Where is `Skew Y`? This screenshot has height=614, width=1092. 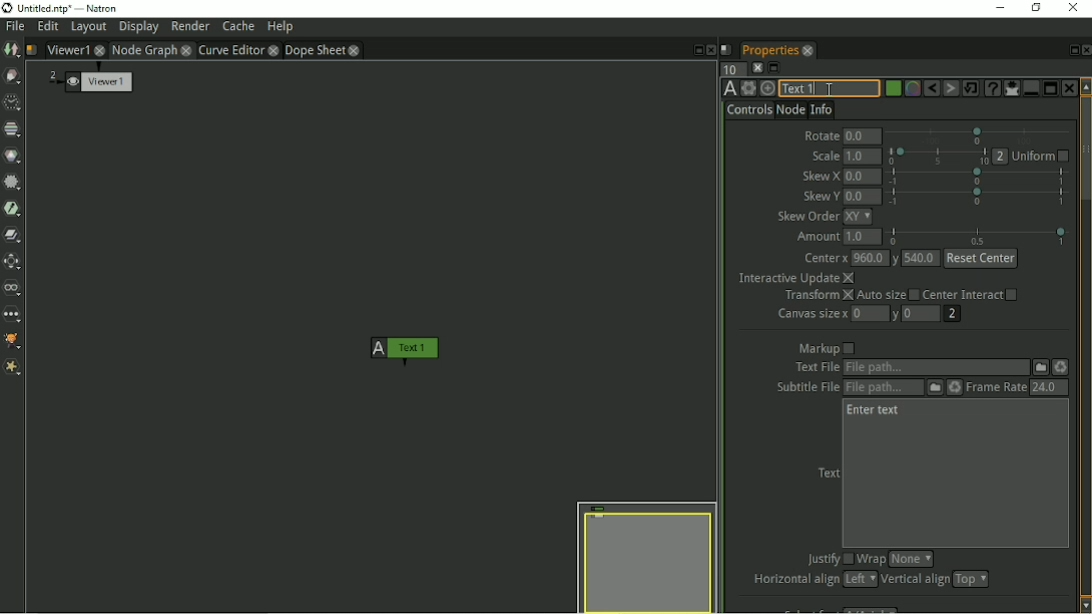
Skew Y is located at coordinates (821, 195).